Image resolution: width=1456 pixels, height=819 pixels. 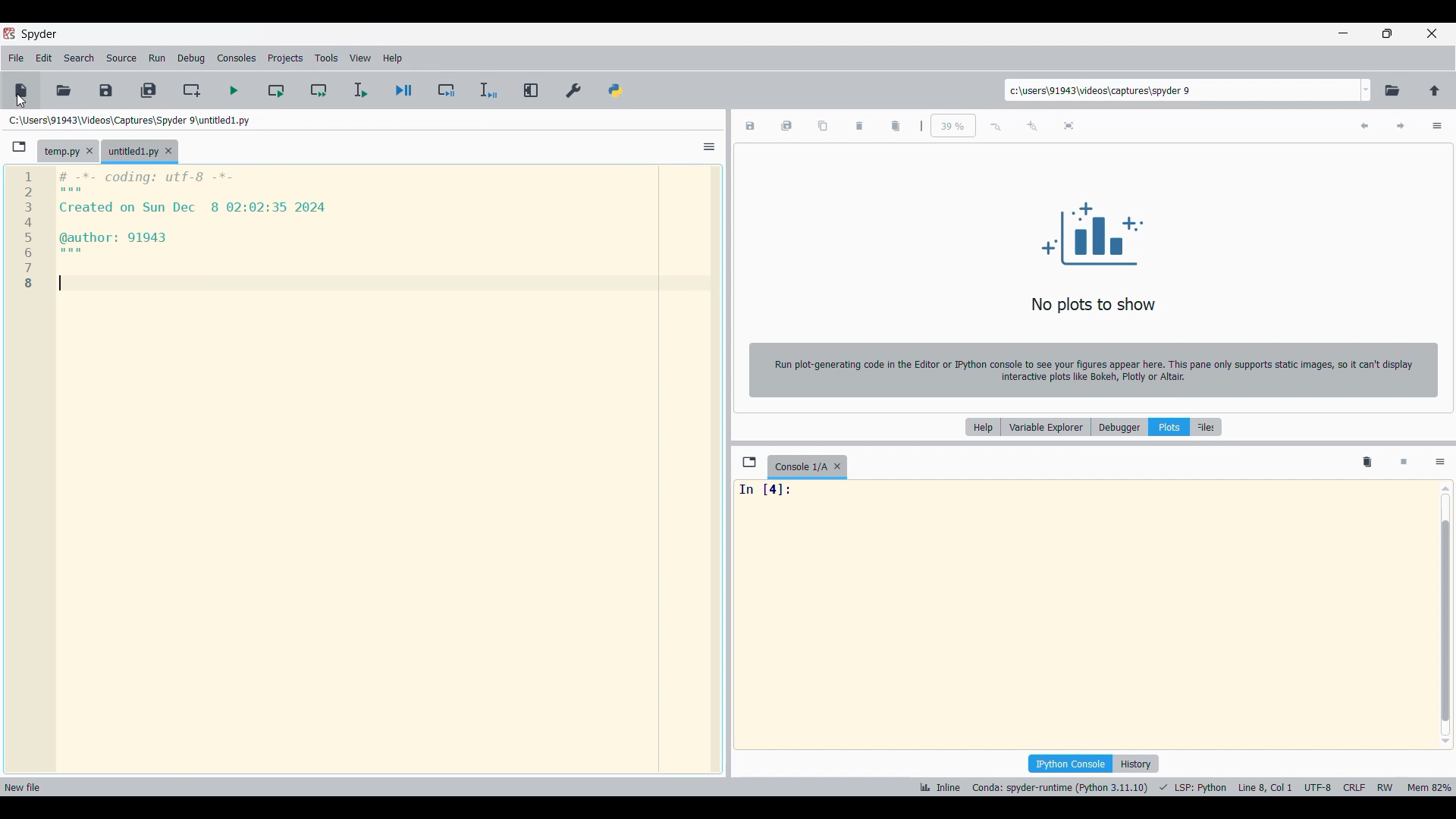 I want to click on rw, so click(x=1388, y=786).